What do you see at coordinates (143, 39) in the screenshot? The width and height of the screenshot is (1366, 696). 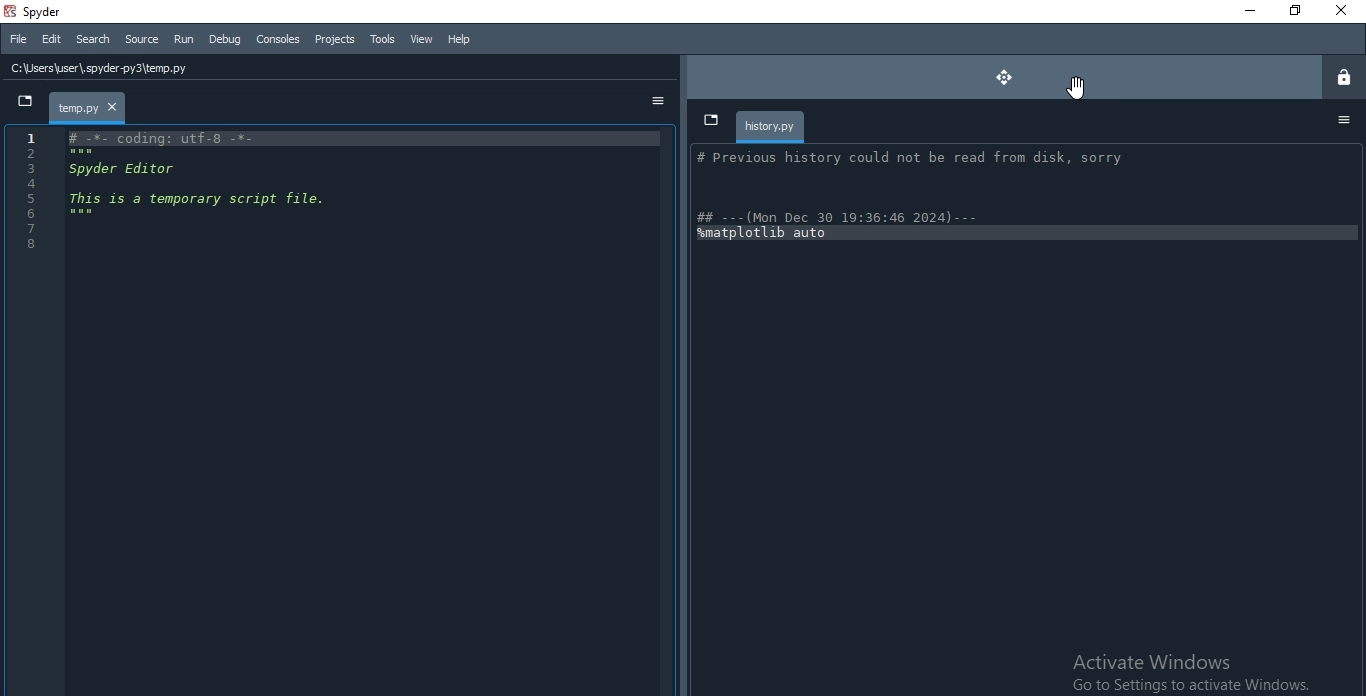 I see `Source` at bounding box center [143, 39].